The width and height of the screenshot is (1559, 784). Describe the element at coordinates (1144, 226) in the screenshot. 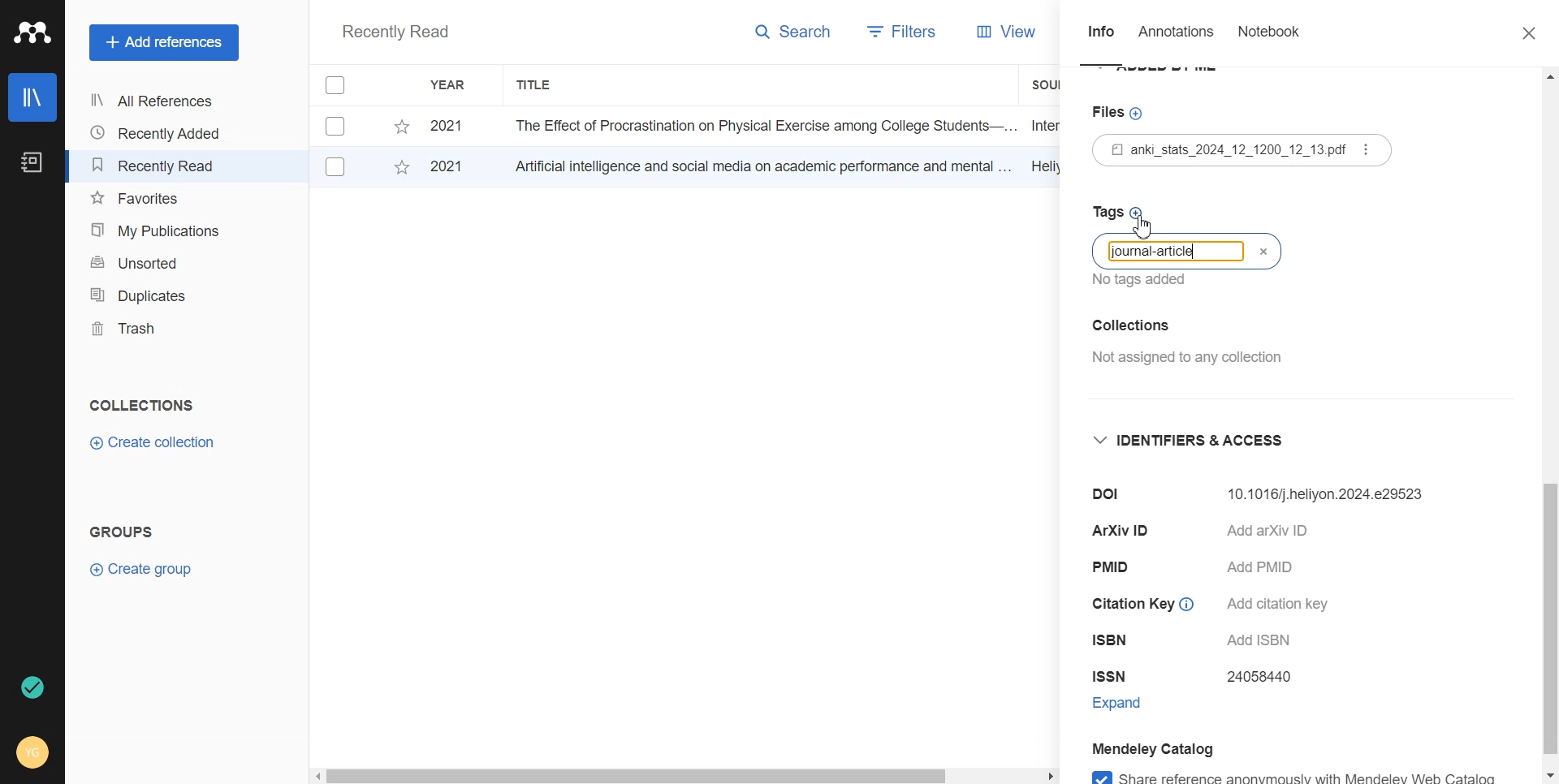

I see `Cursor` at that location.